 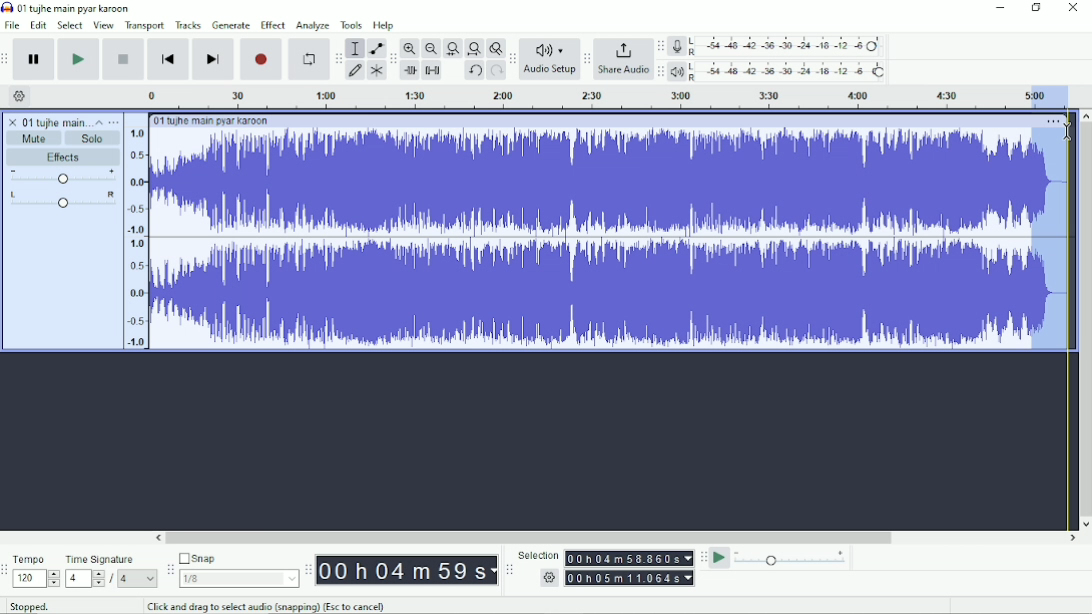 What do you see at coordinates (5, 571) in the screenshot?
I see `Audacity time signature toolbar` at bounding box center [5, 571].